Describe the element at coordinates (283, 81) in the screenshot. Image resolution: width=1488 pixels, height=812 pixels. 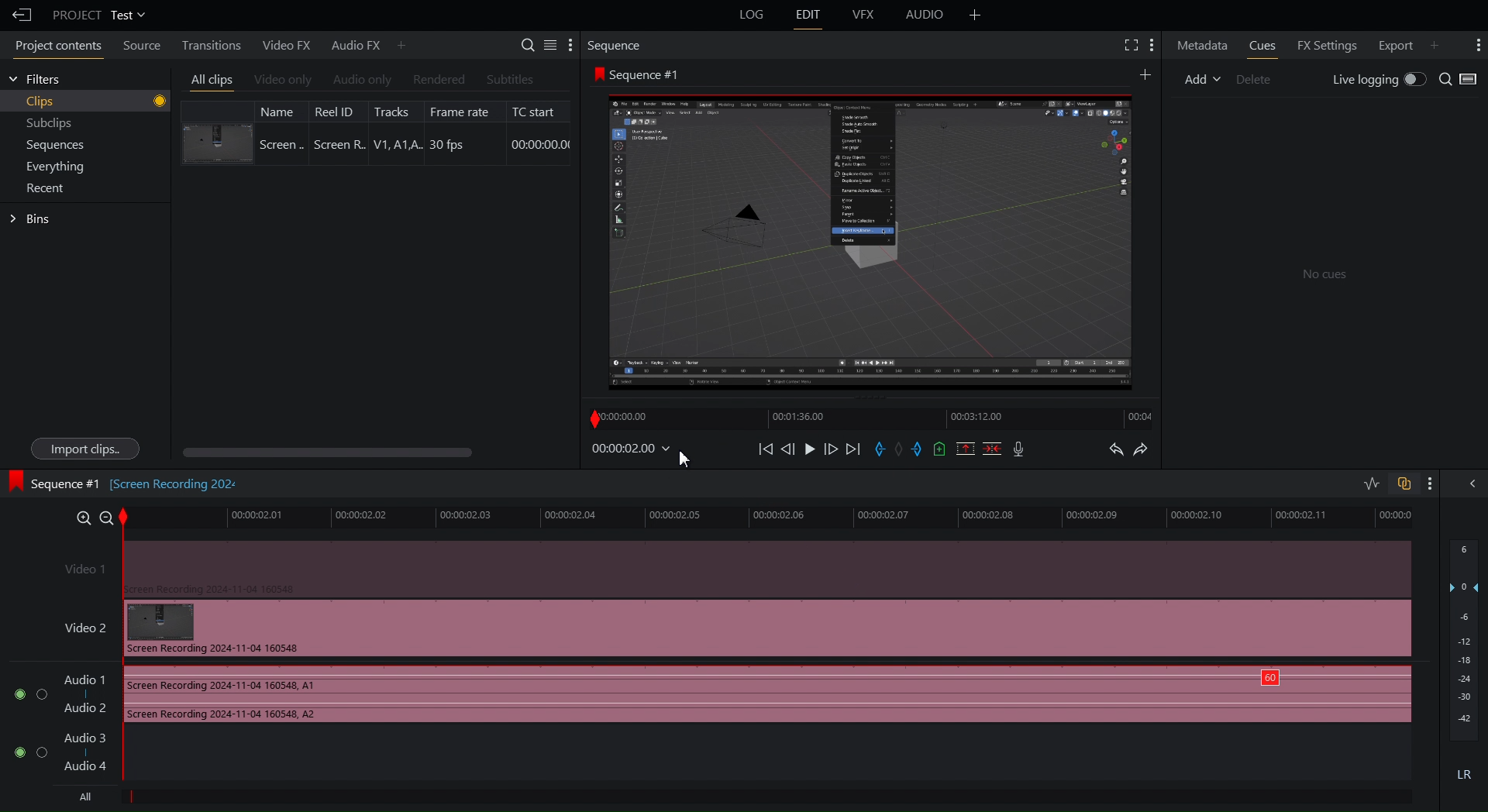
I see `Video Only` at that location.